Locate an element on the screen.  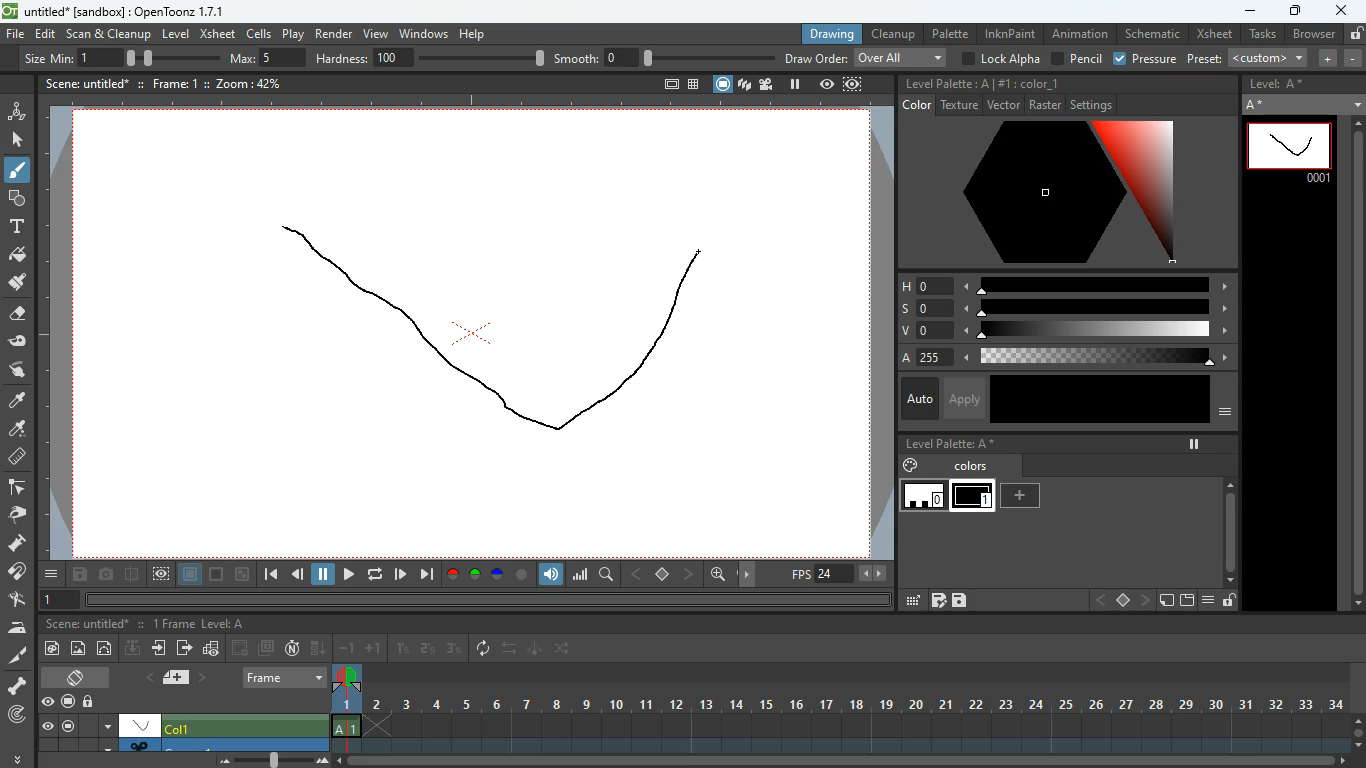
auto is located at coordinates (917, 400).